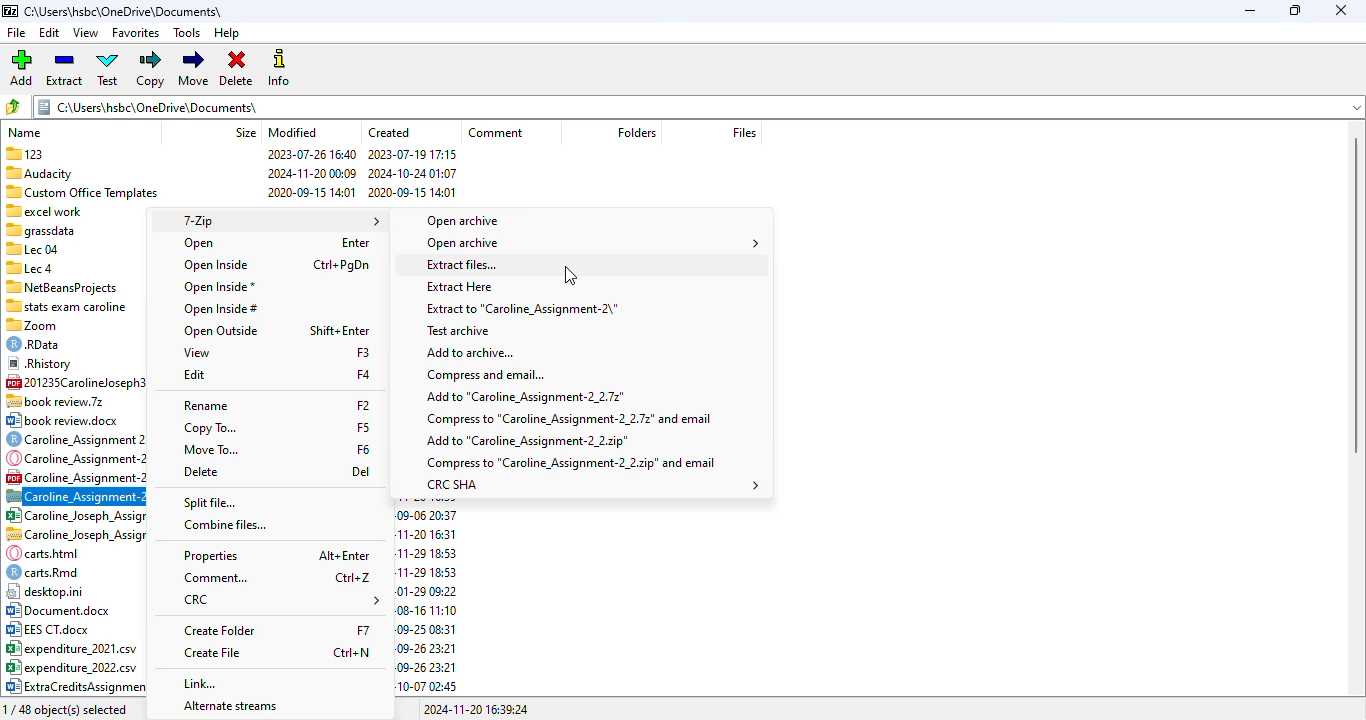 The image size is (1366, 720). What do you see at coordinates (86, 33) in the screenshot?
I see `view` at bounding box center [86, 33].